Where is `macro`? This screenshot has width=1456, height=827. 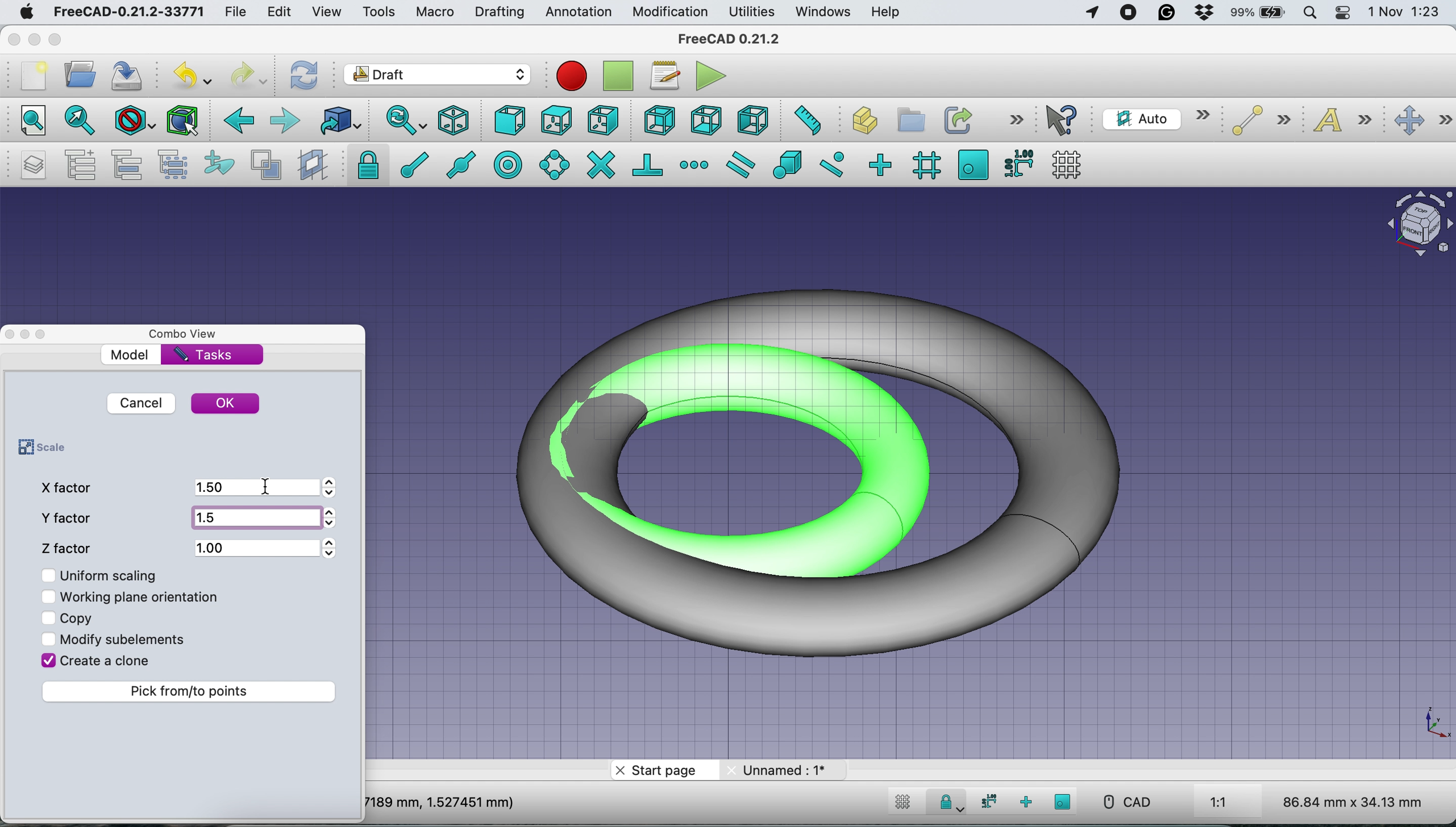
macro is located at coordinates (435, 14).